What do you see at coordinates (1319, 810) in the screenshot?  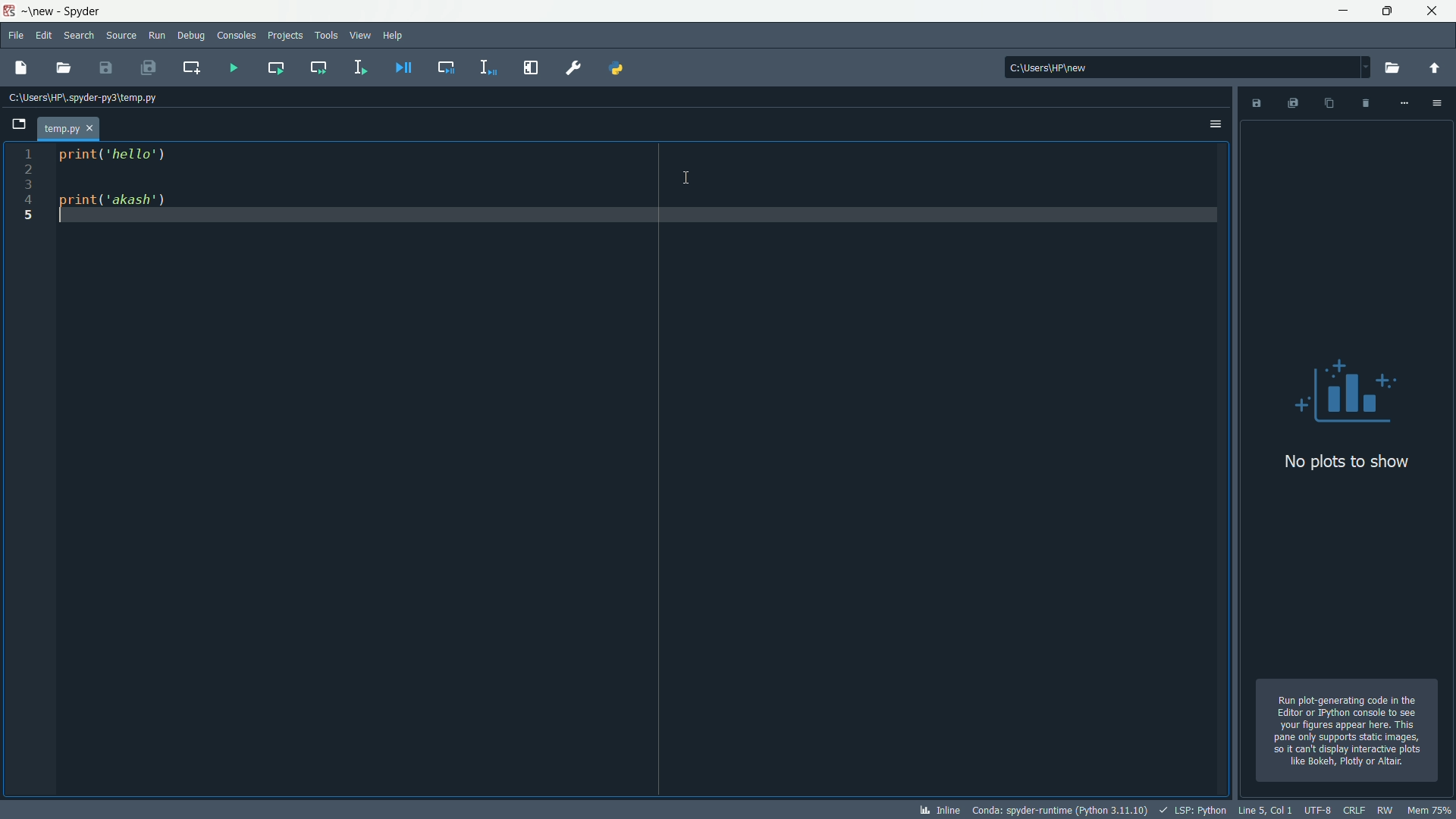 I see `encoder` at bounding box center [1319, 810].